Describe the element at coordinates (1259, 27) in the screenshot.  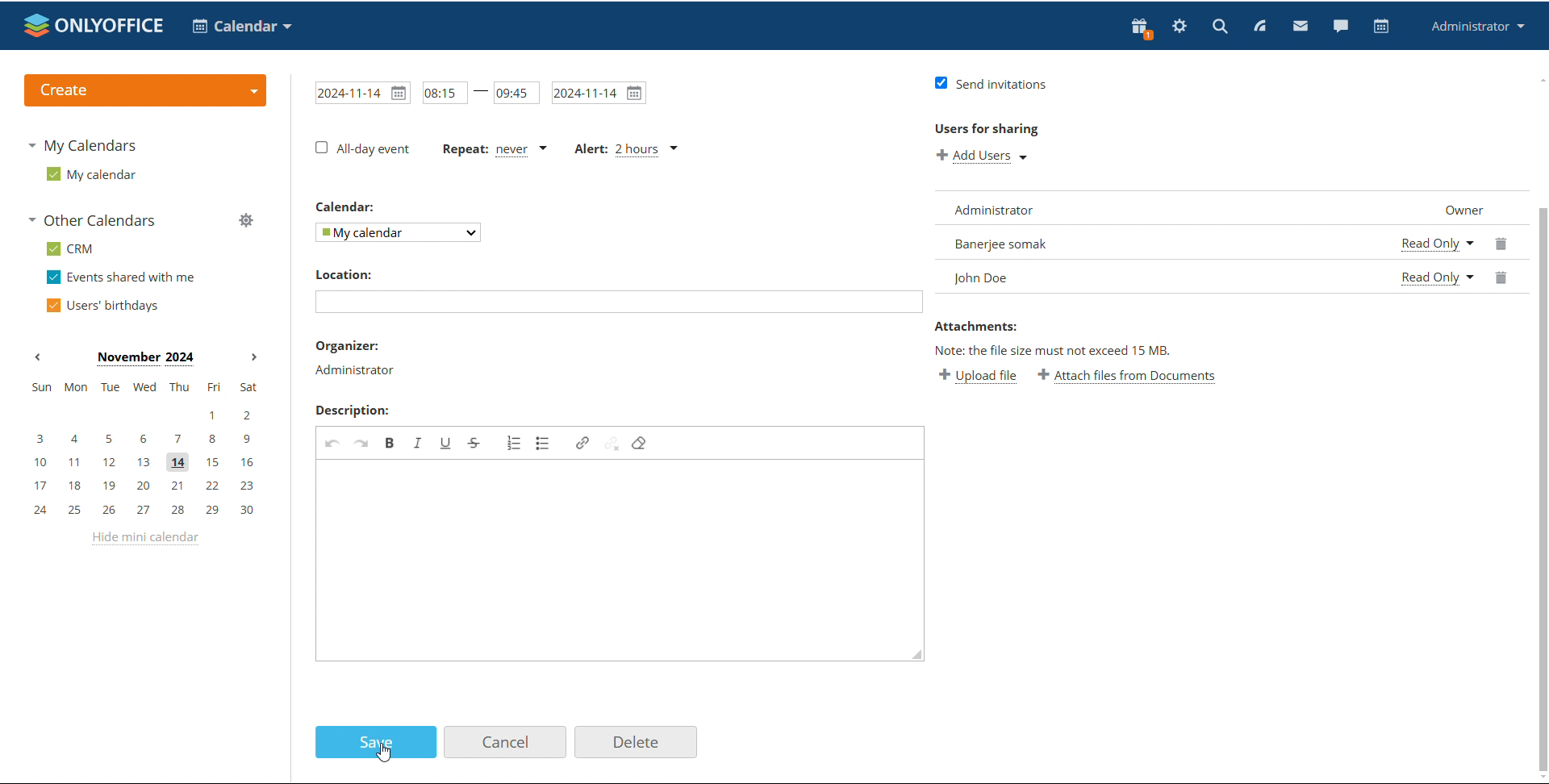
I see `feed` at that location.